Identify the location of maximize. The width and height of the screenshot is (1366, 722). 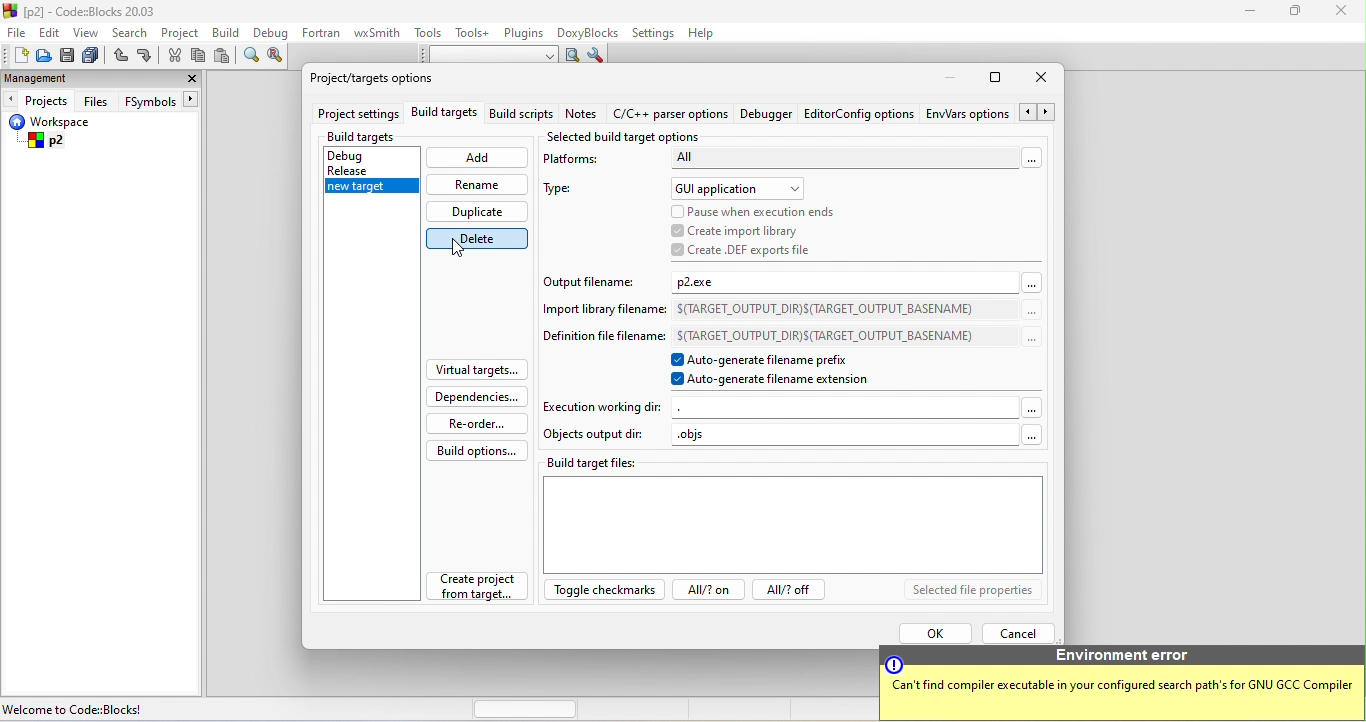
(1296, 15).